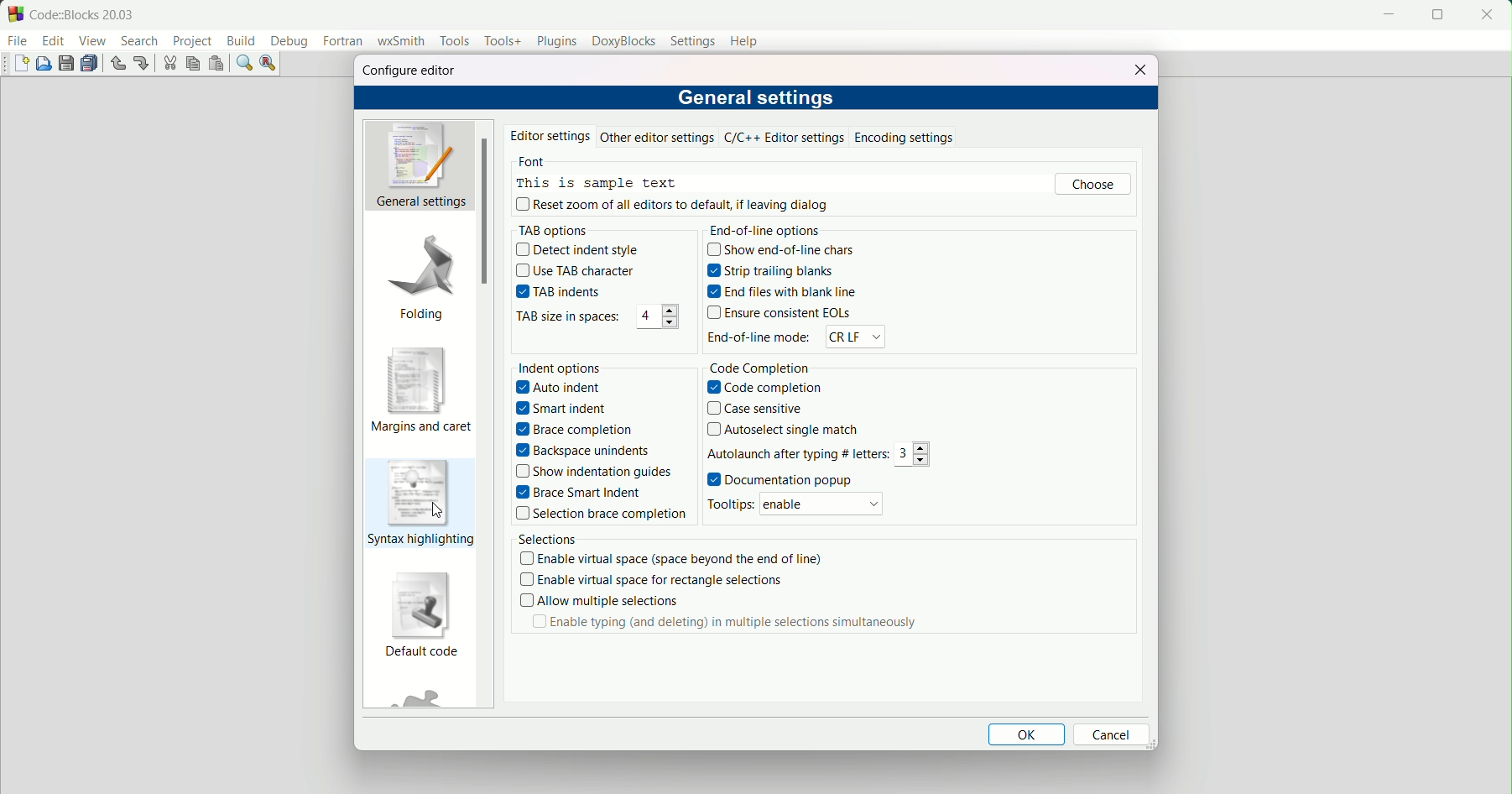  Describe the element at coordinates (1437, 15) in the screenshot. I see `fullscreen` at that location.